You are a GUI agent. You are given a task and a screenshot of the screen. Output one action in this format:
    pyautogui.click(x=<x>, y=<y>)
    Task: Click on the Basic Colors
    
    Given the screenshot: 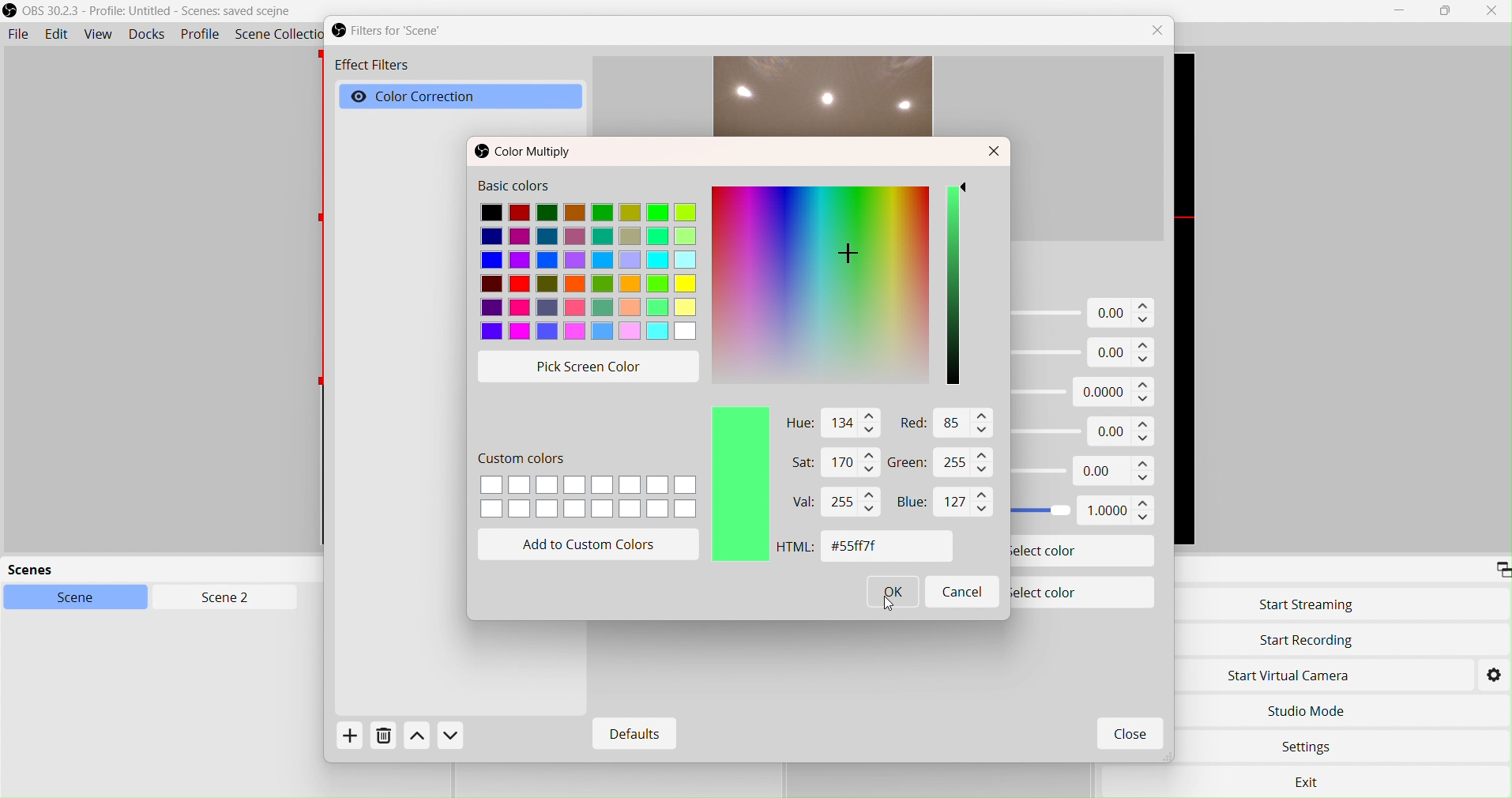 What is the action you would take?
    pyautogui.click(x=589, y=261)
    